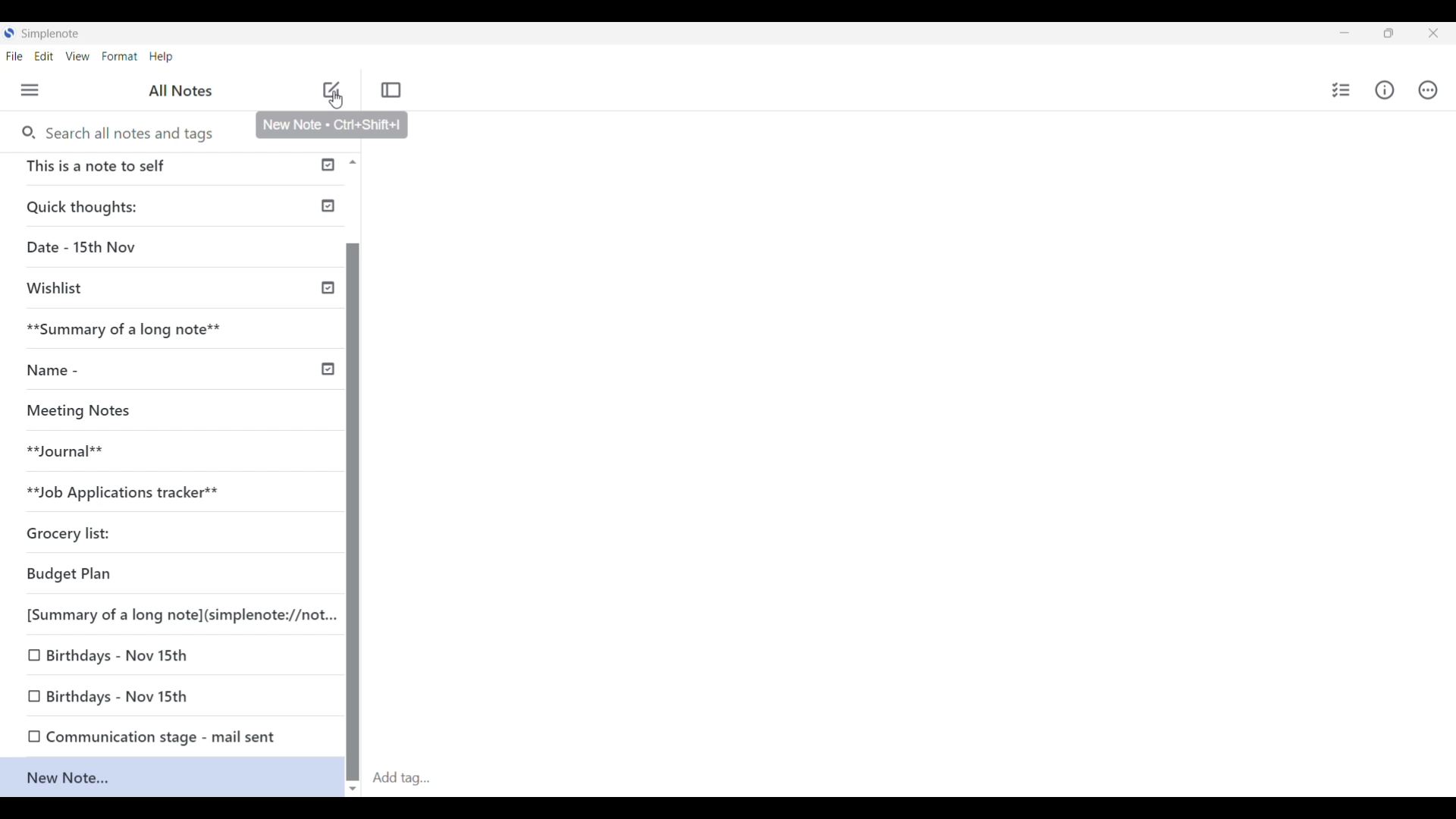  What do you see at coordinates (1389, 33) in the screenshot?
I see `Show interface in a smaller tab` at bounding box center [1389, 33].